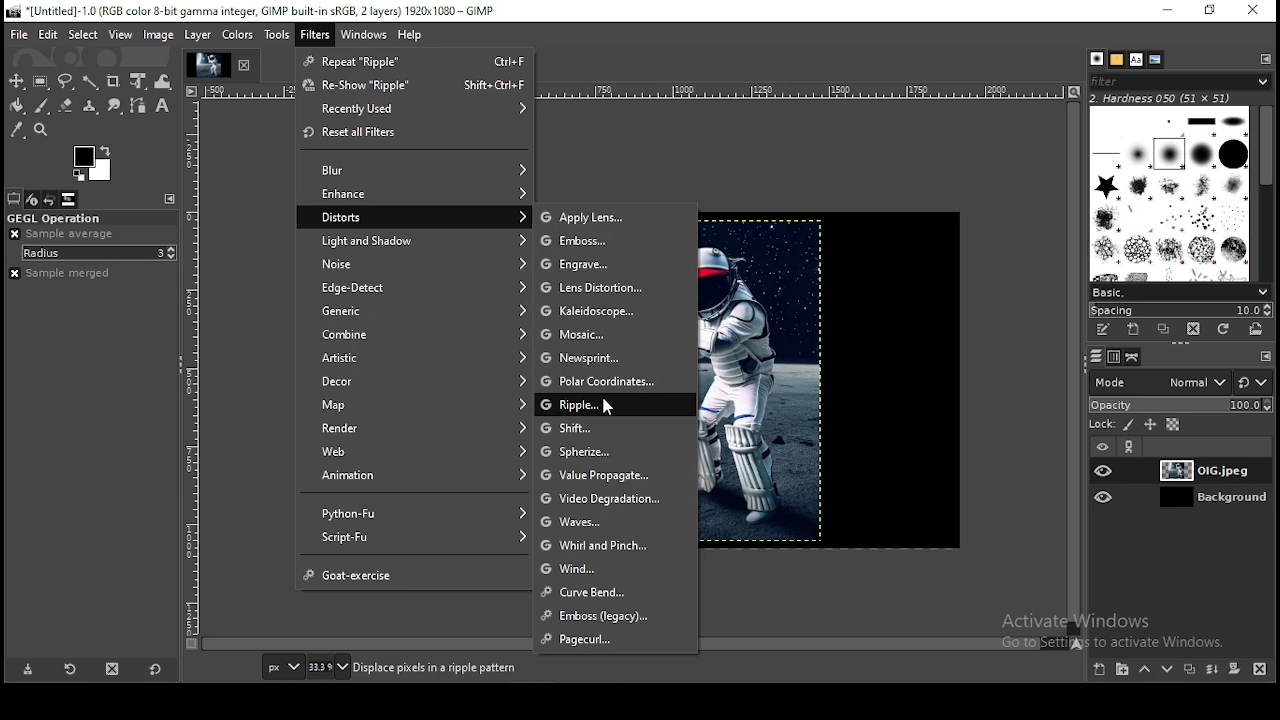 The image size is (1280, 720). I want to click on layer 1, so click(1196, 471).